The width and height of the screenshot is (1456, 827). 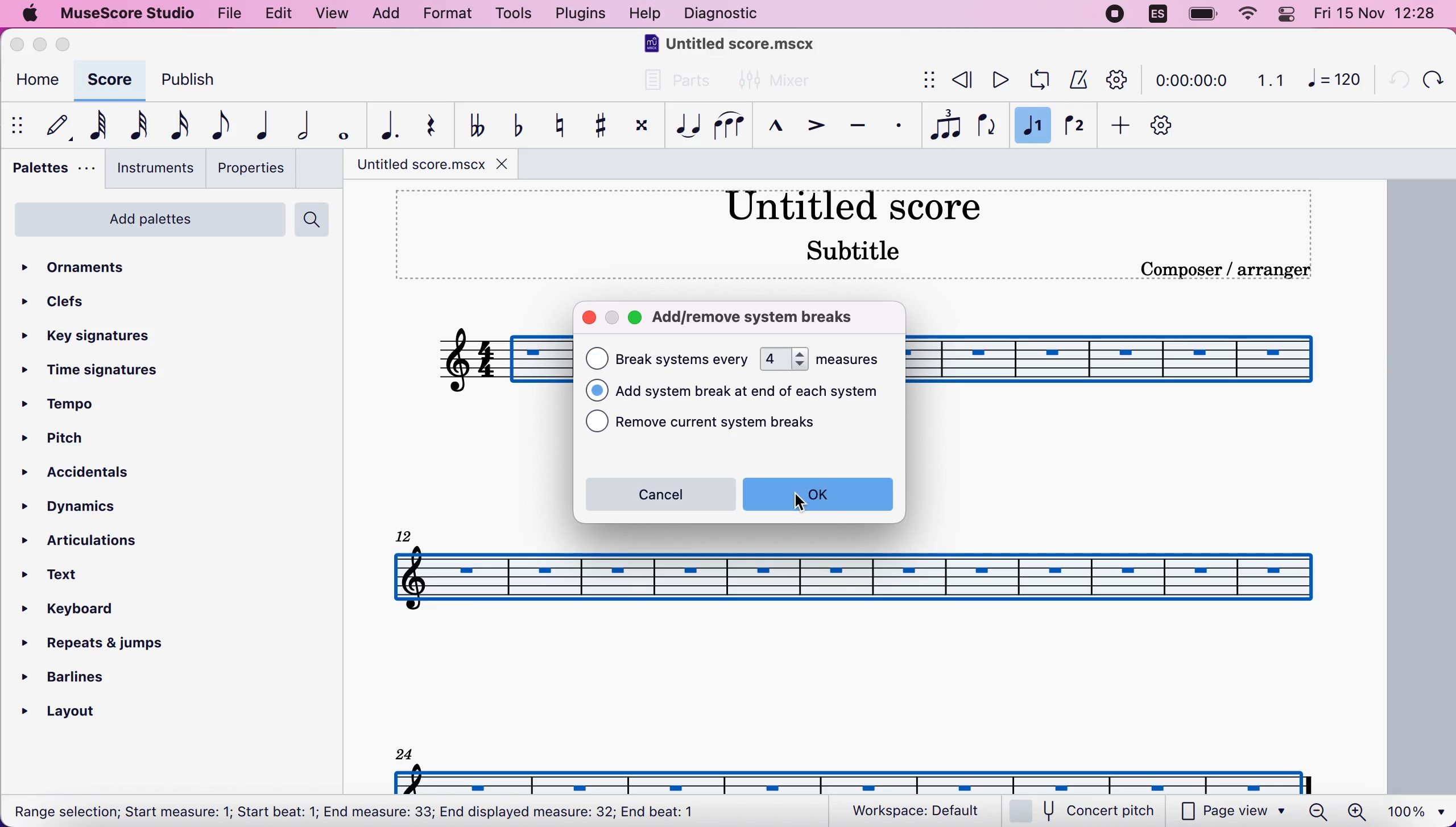 I want to click on keyboard, so click(x=82, y=611).